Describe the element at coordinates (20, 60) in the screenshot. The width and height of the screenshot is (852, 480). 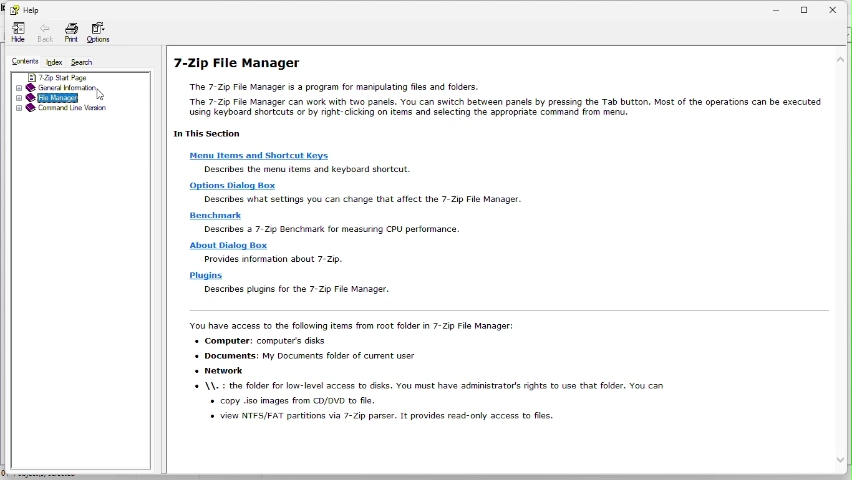
I see `Content` at that location.